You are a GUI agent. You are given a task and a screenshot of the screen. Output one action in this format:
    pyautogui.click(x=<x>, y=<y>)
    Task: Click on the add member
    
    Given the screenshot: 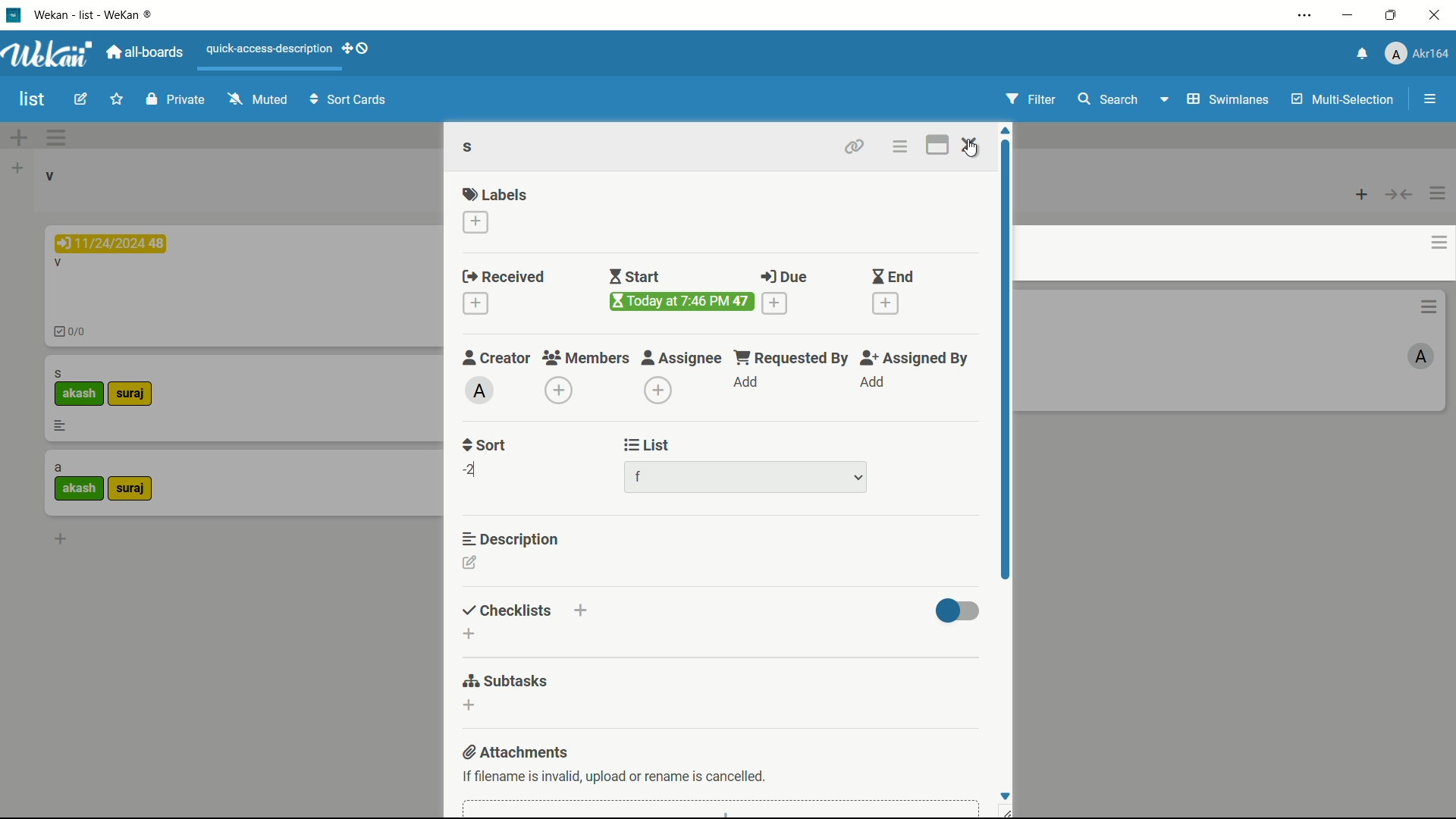 What is the action you would take?
    pyautogui.click(x=558, y=391)
    